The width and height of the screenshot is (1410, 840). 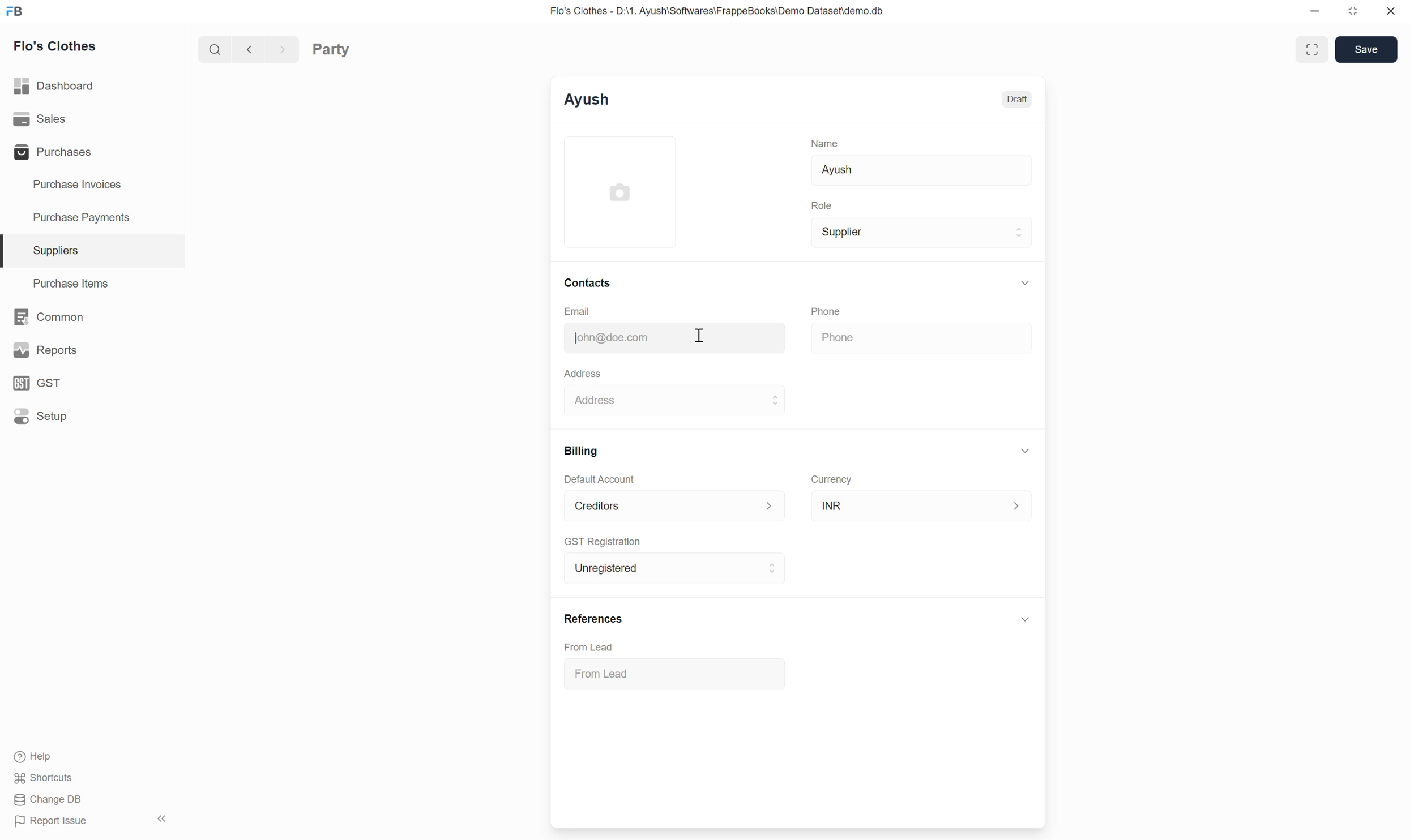 I want to click on Setup, so click(x=91, y=416).